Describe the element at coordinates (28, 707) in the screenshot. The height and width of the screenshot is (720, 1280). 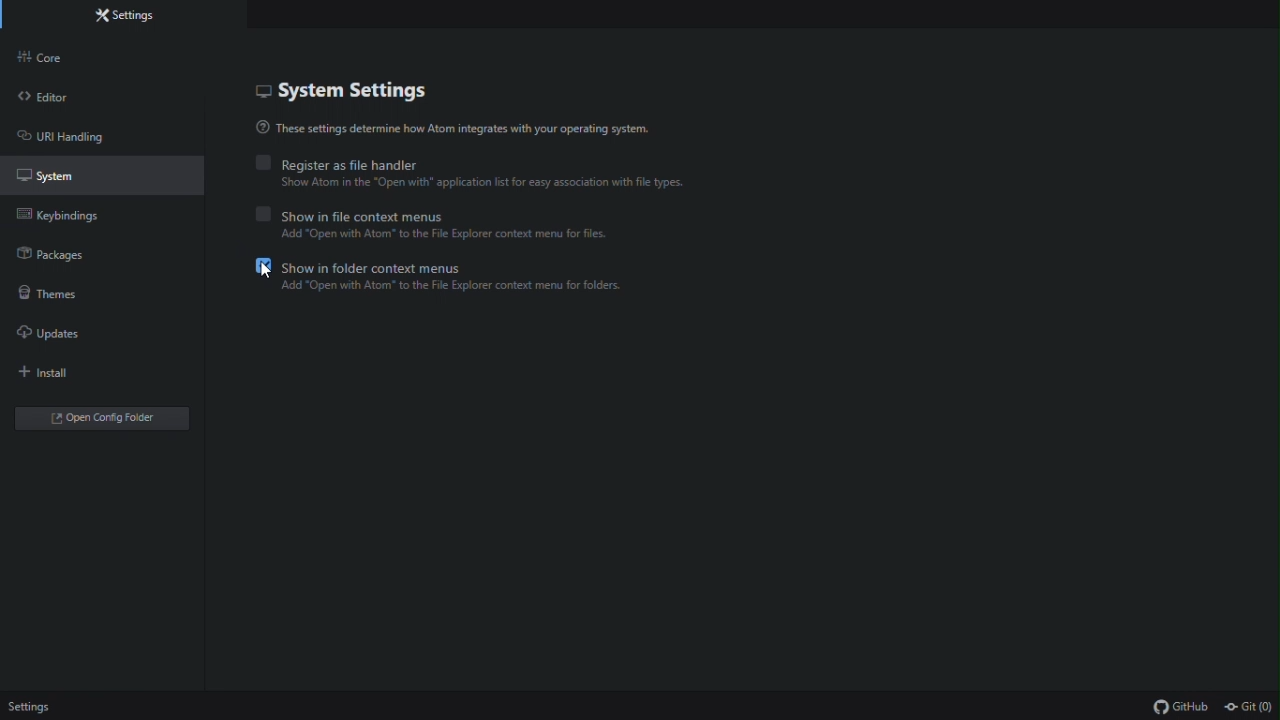
I see `settings` at that location.